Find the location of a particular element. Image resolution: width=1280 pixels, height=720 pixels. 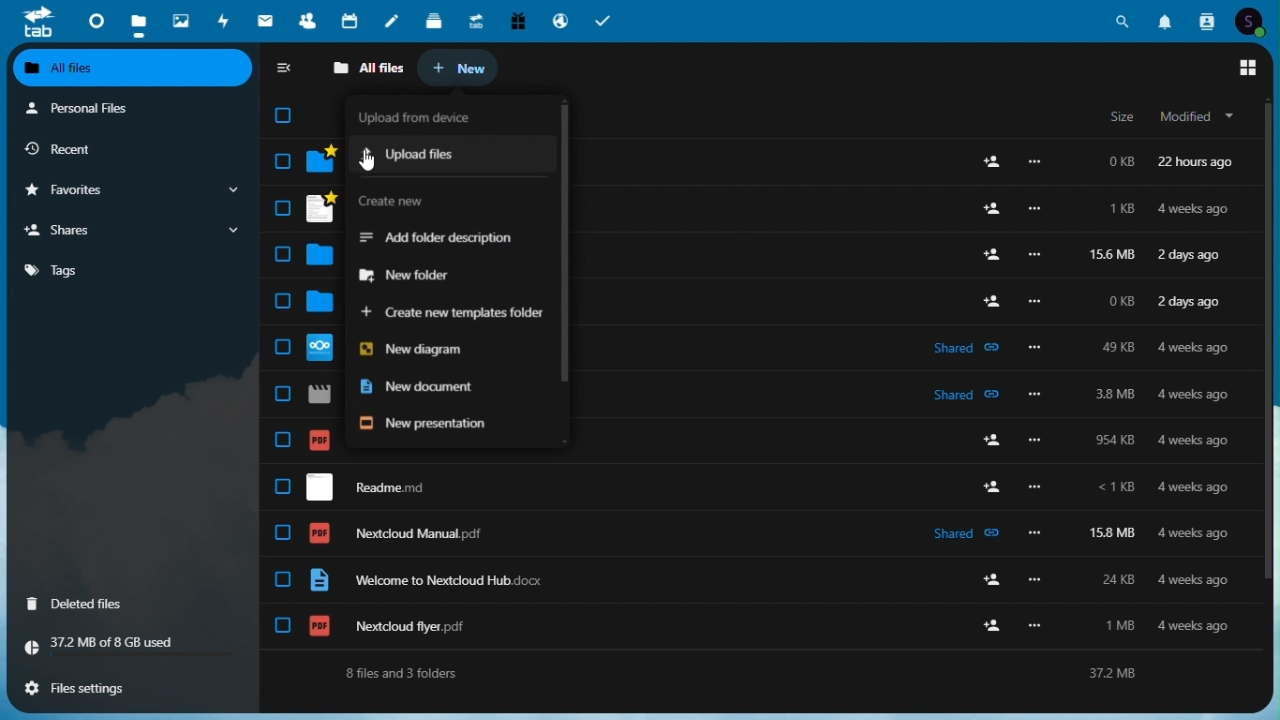

New presentation is located at coordinates (437, 426).